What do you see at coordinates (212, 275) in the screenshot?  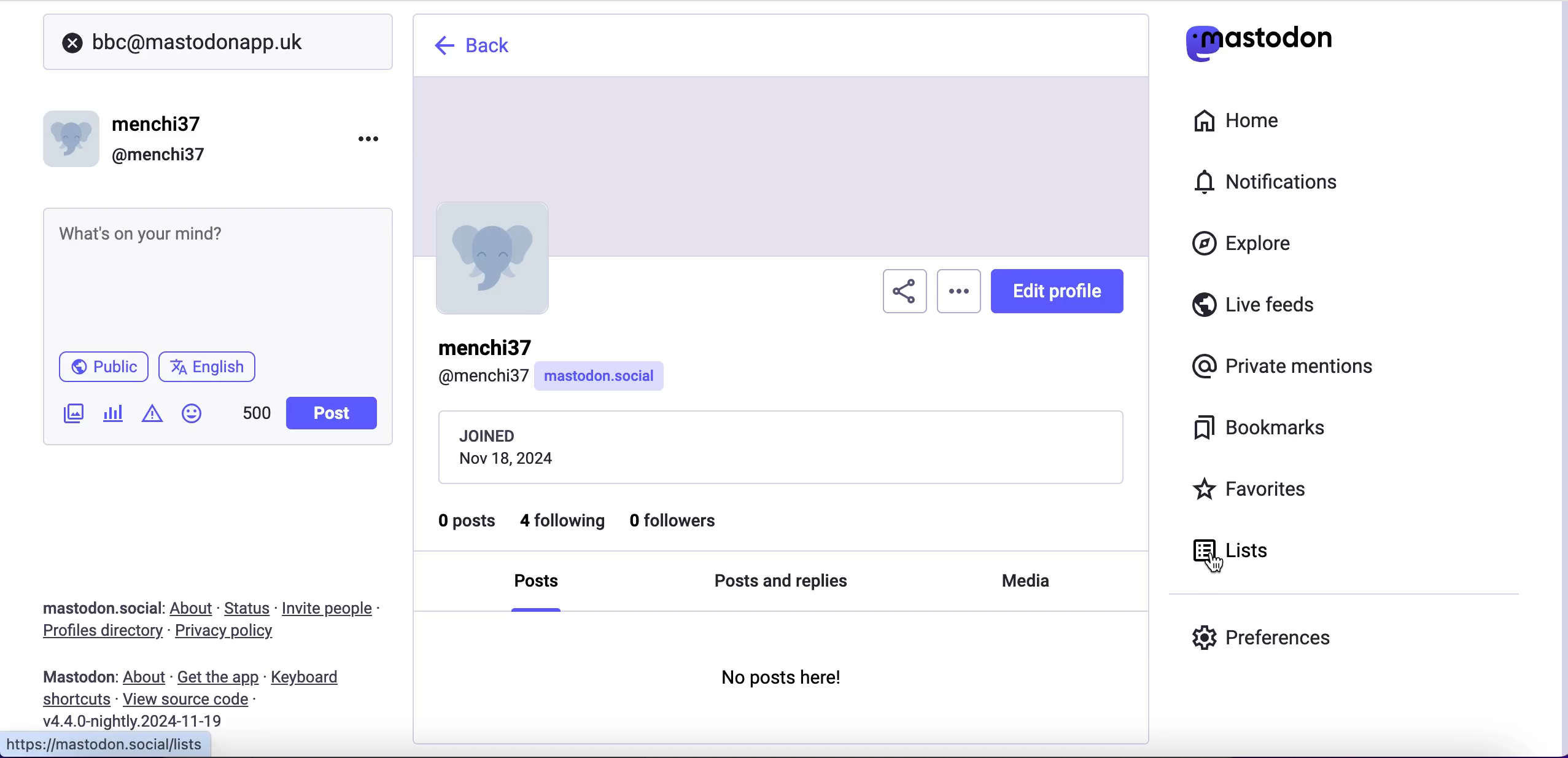 I see `post what's n your mind` at bounding box center [212, 275].